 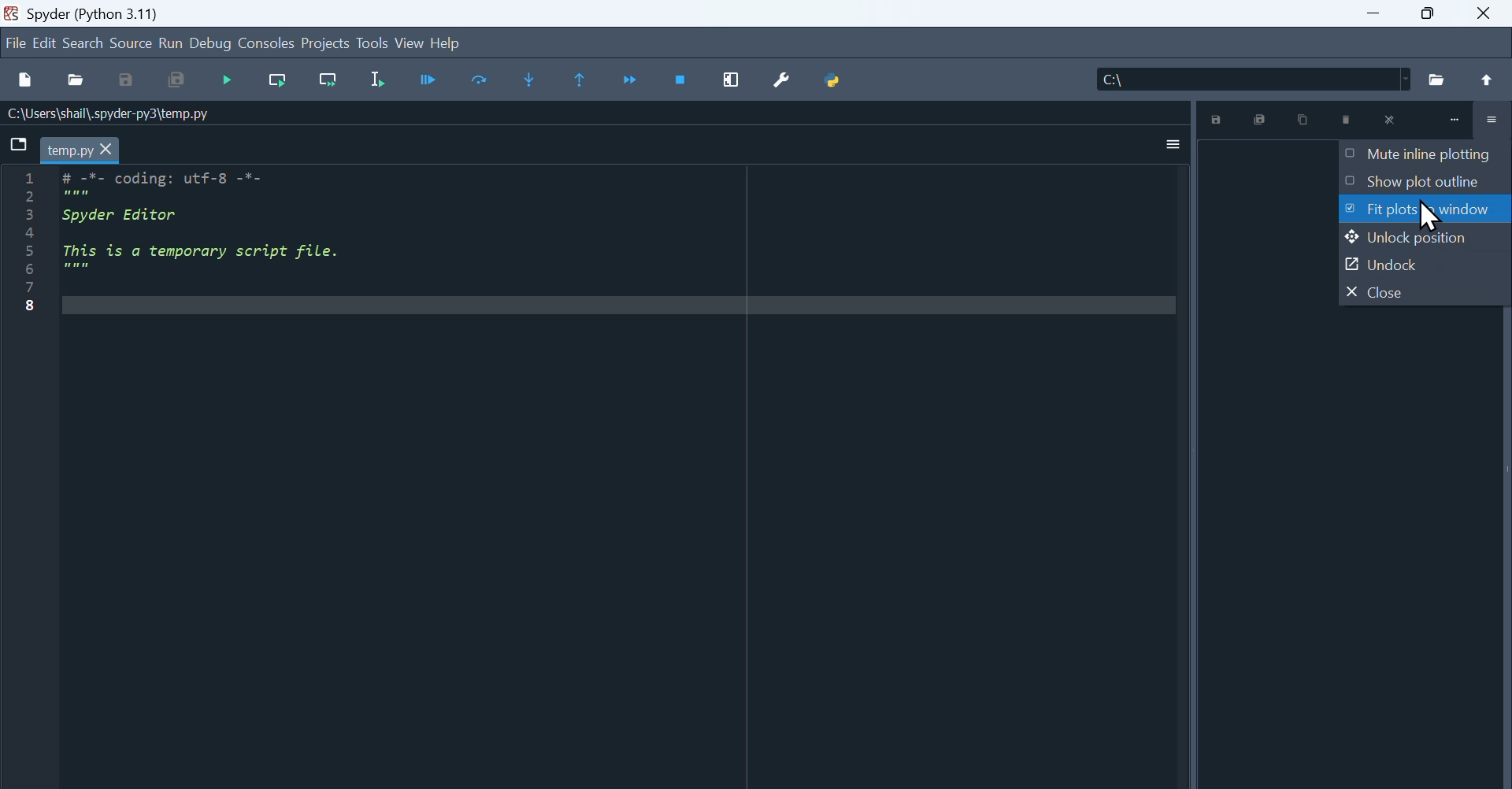 I want to click on Show plotline, so click(x=1421, y=183).